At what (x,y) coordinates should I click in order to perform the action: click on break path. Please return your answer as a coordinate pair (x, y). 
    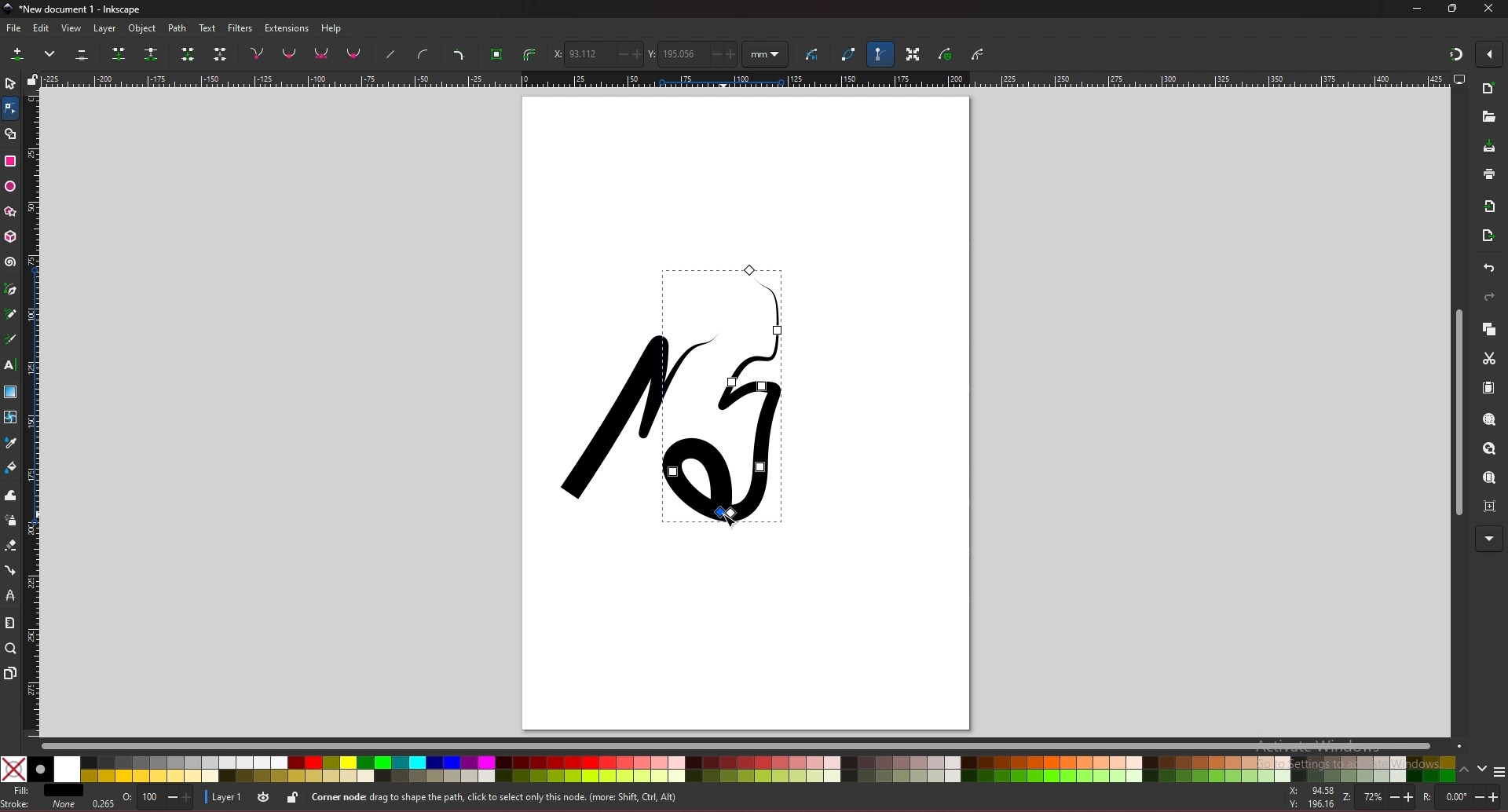
    Looking at the image, I should click on (151, 53).